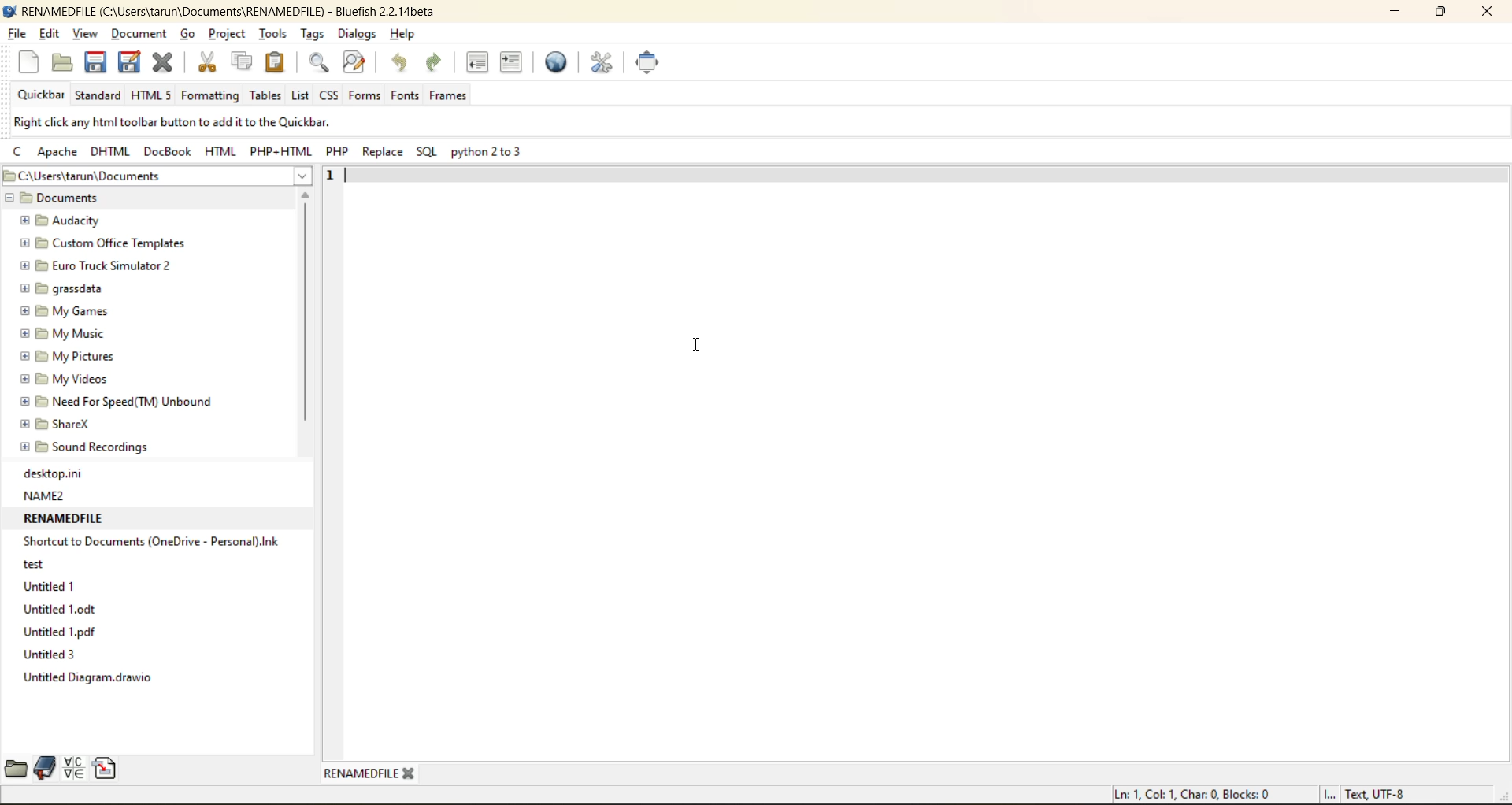 This screenshot has width=1512, height=805. Describe the element at coordinates (237, 11) in the screenshot. I see `renamed file name` at that location.